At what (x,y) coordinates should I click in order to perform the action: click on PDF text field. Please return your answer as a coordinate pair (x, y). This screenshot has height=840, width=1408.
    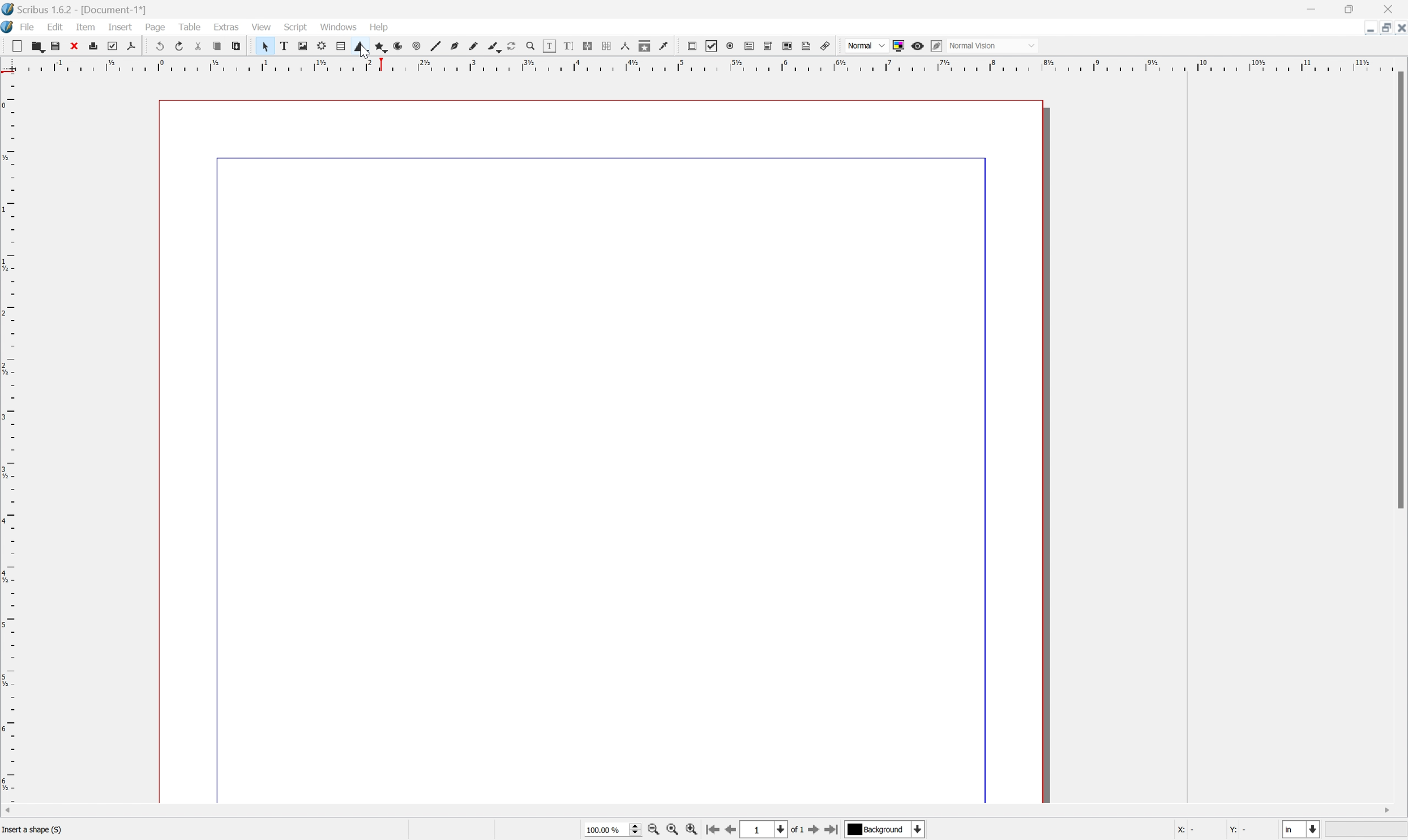
    Looking at the image, I should click on (747, 46).